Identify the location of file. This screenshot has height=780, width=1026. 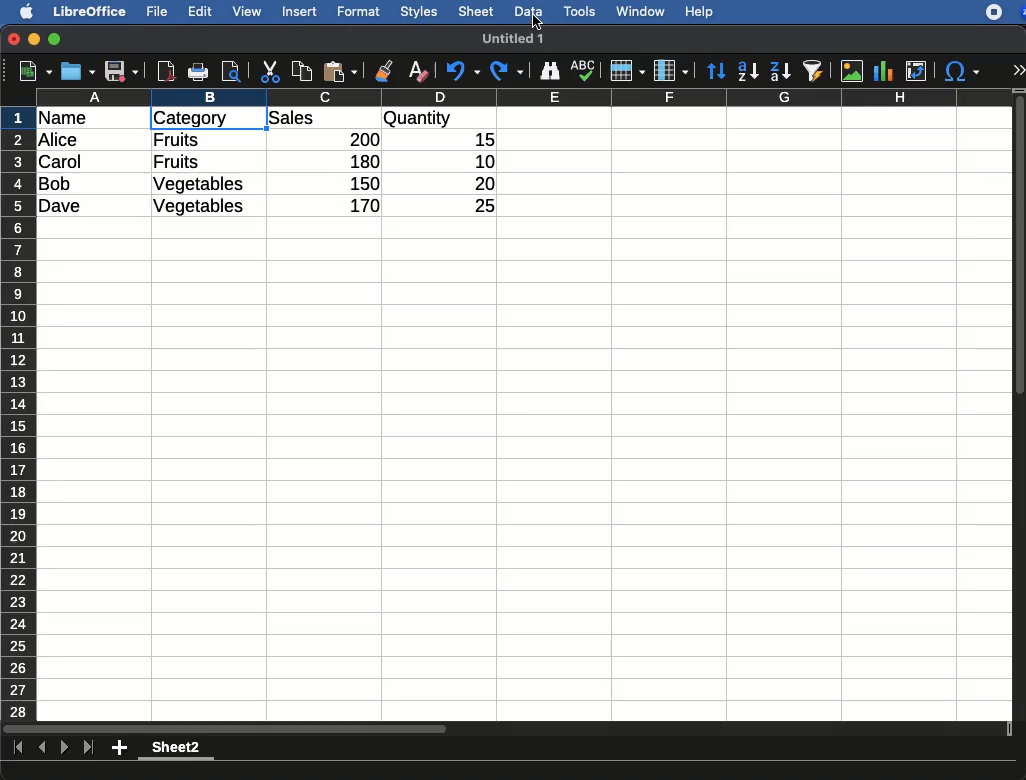
(154, 12).